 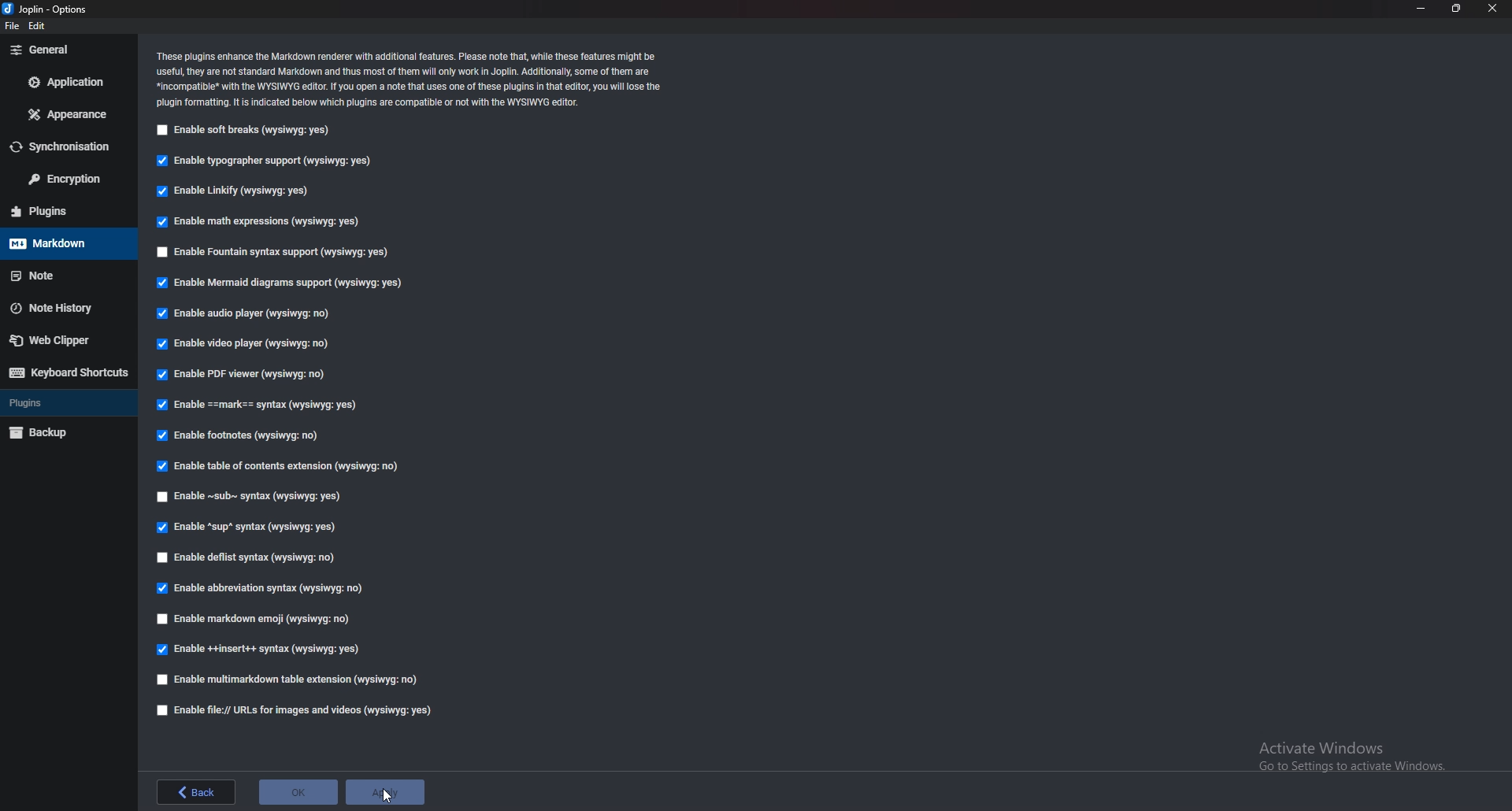 What do you see at coordinates (253, 557) in the screenshot?
I see `enable deflist syntax` at bounding box center [253, 557].